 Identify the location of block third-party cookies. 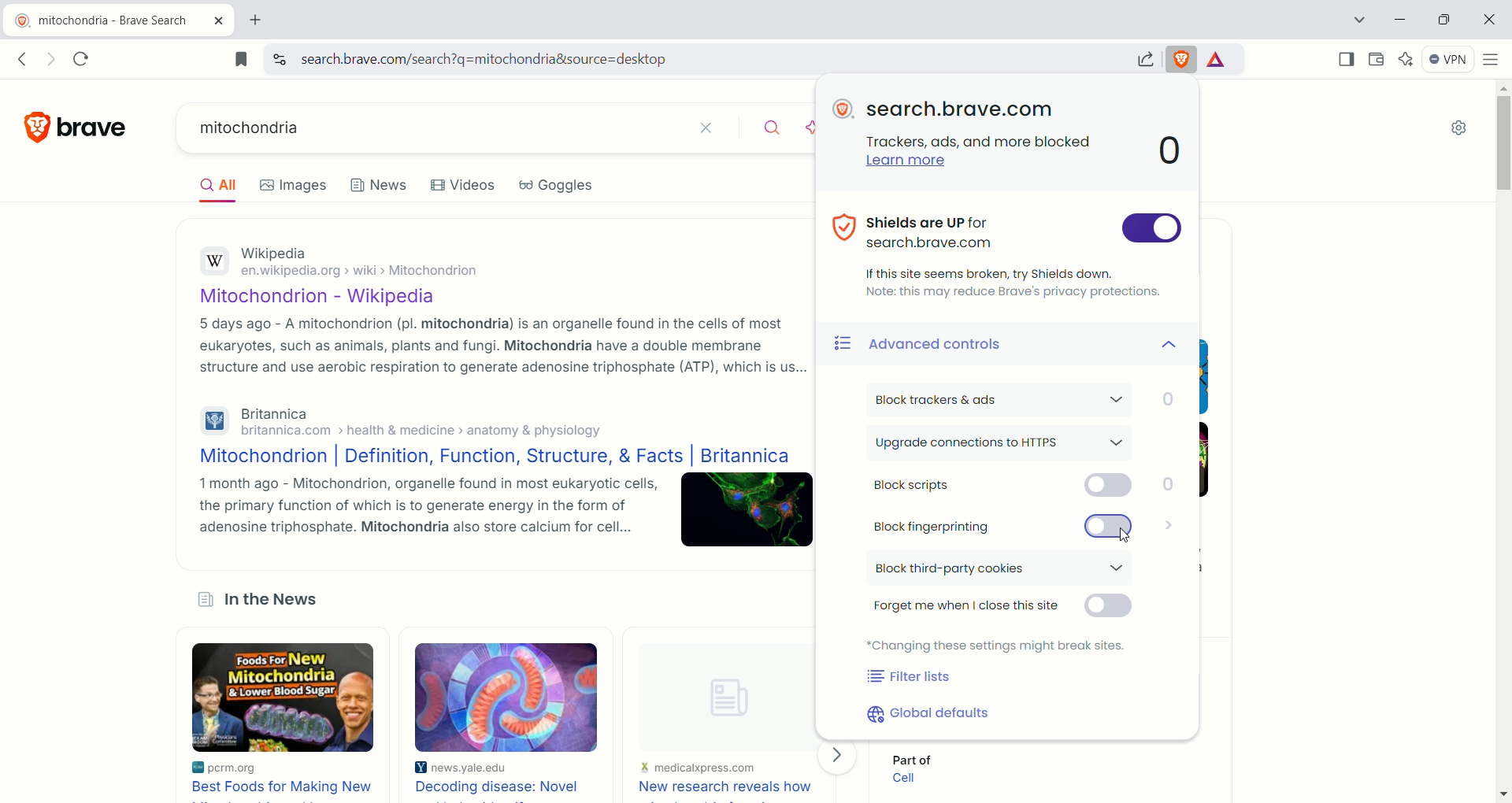
(1006, 569).